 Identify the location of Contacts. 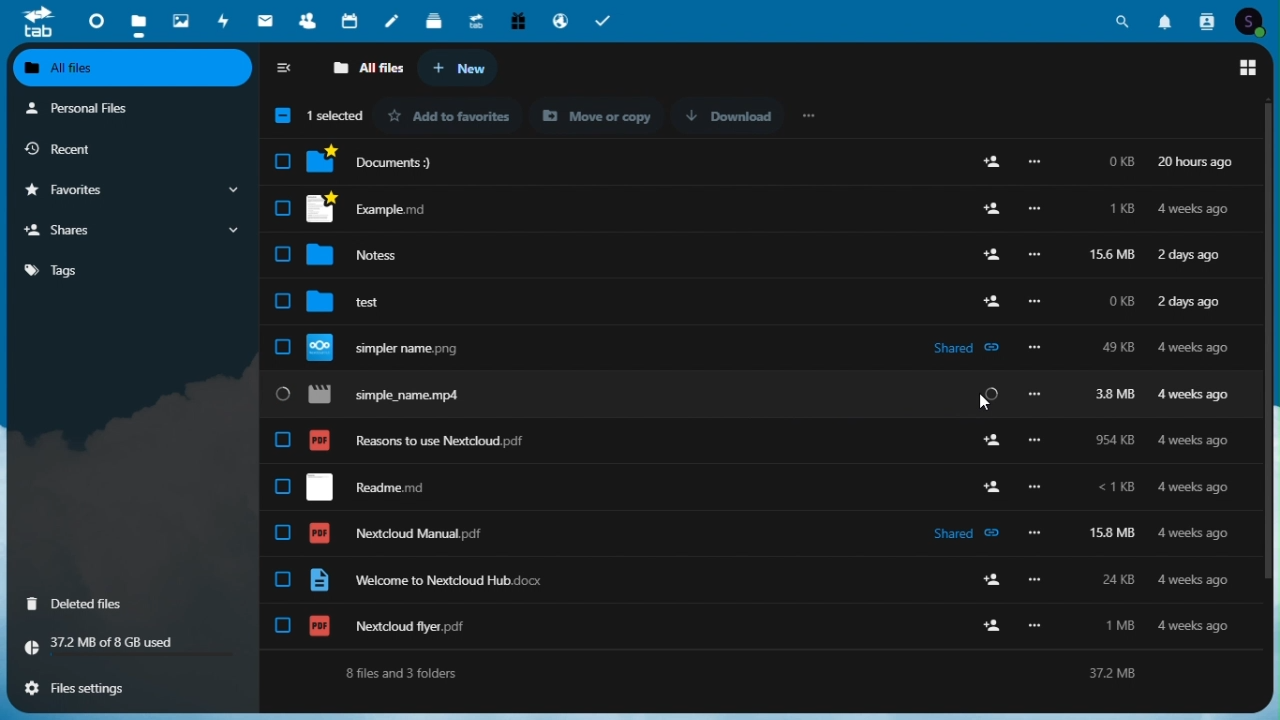
(1205, 21).